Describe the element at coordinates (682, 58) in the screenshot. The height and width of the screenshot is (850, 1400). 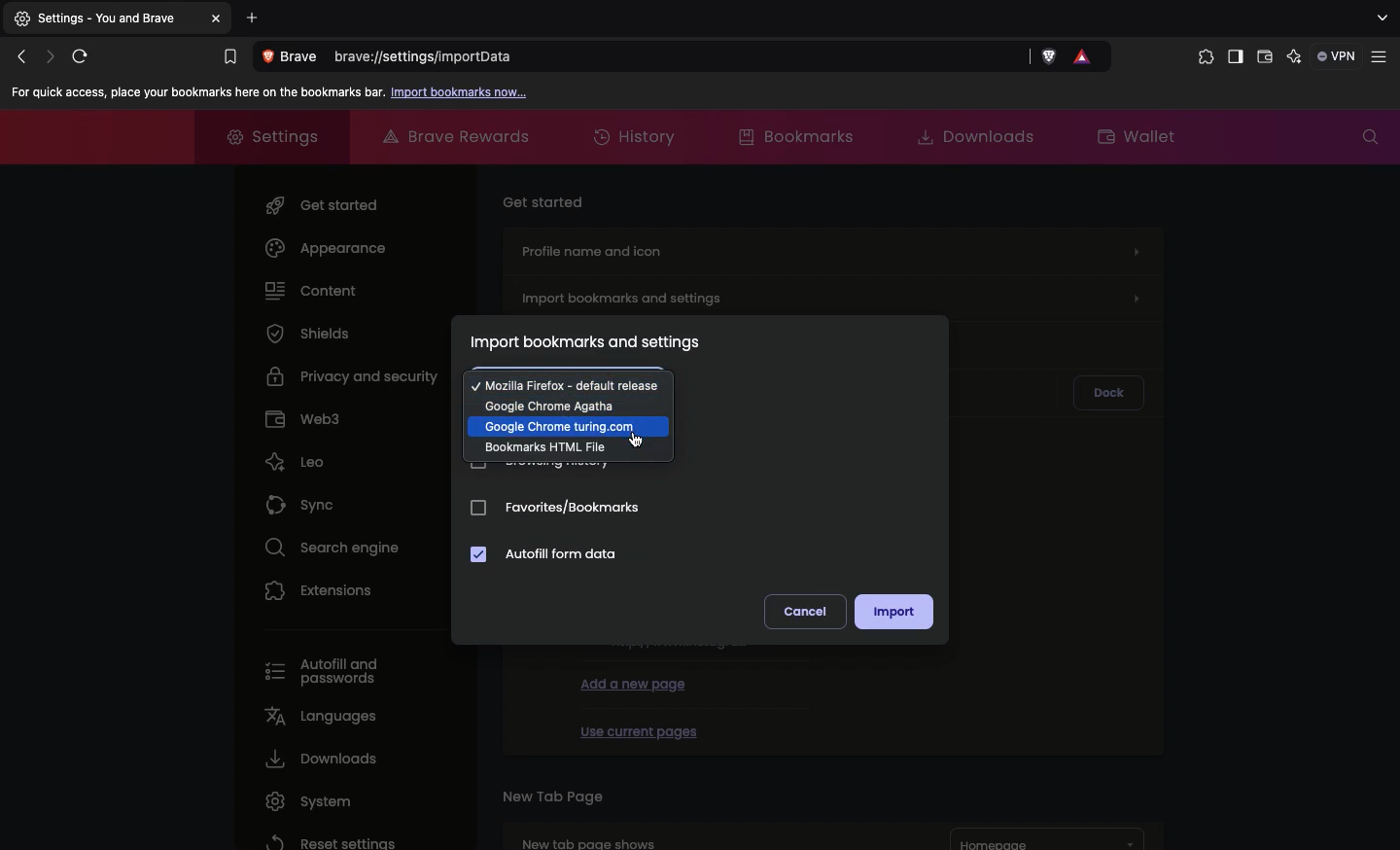
I see `brave://settings/importdata` at that location.